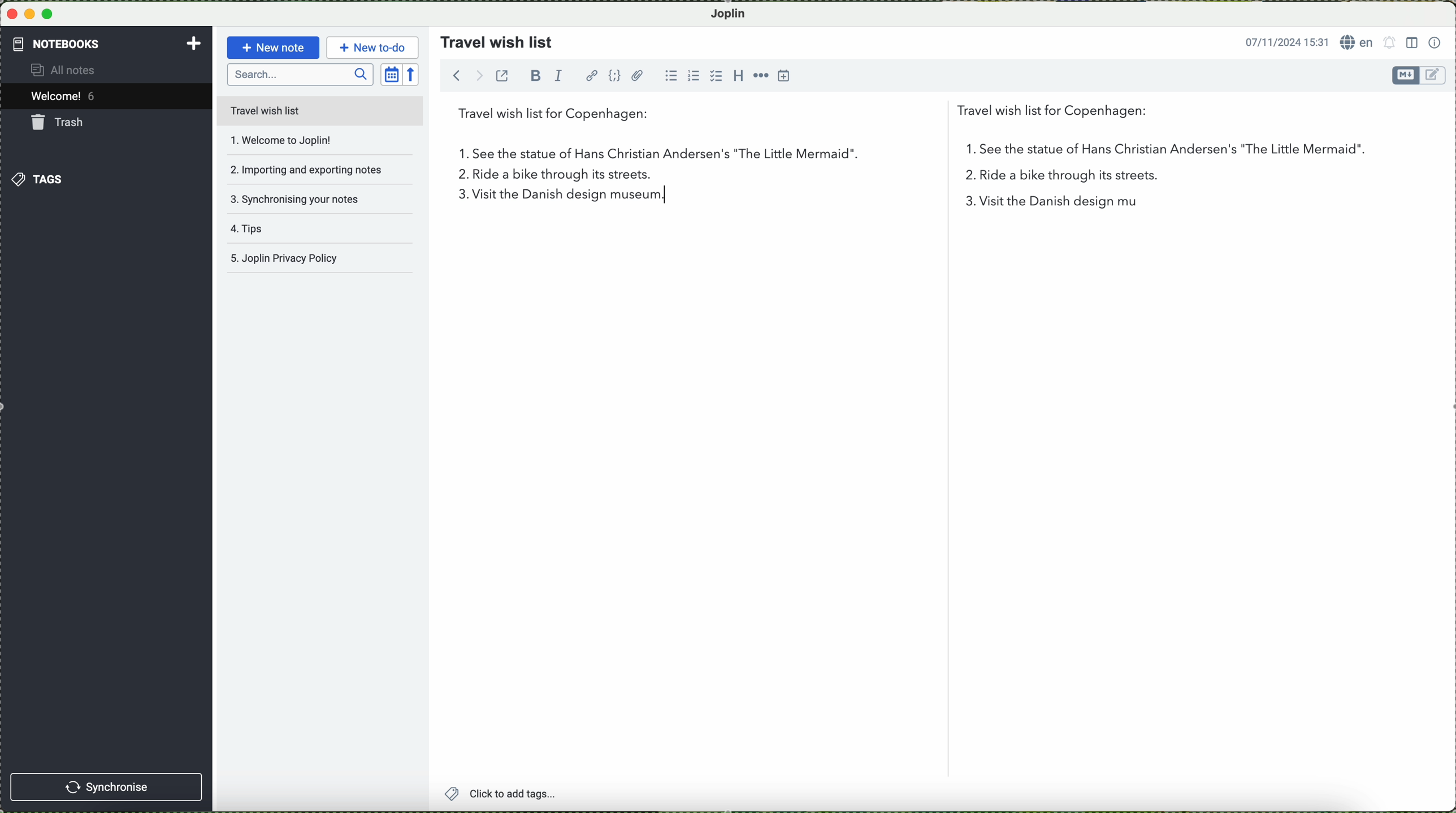 Image resolution: width=1456 pixels, height=813 pixels. What do you see at coordinates (562, 77) in the screenshot?
I see `italic` at bounding box center [562, 77].